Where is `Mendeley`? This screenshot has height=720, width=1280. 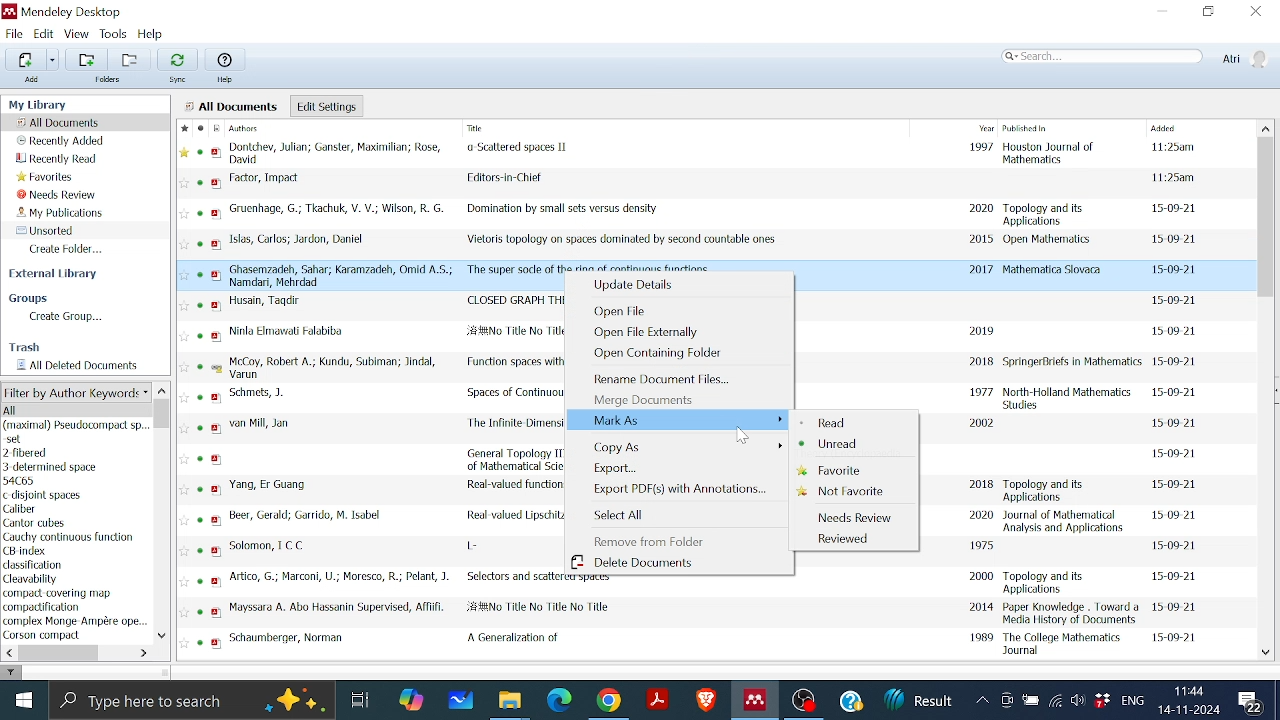
Mendeley is located at coordinates (757, 700).